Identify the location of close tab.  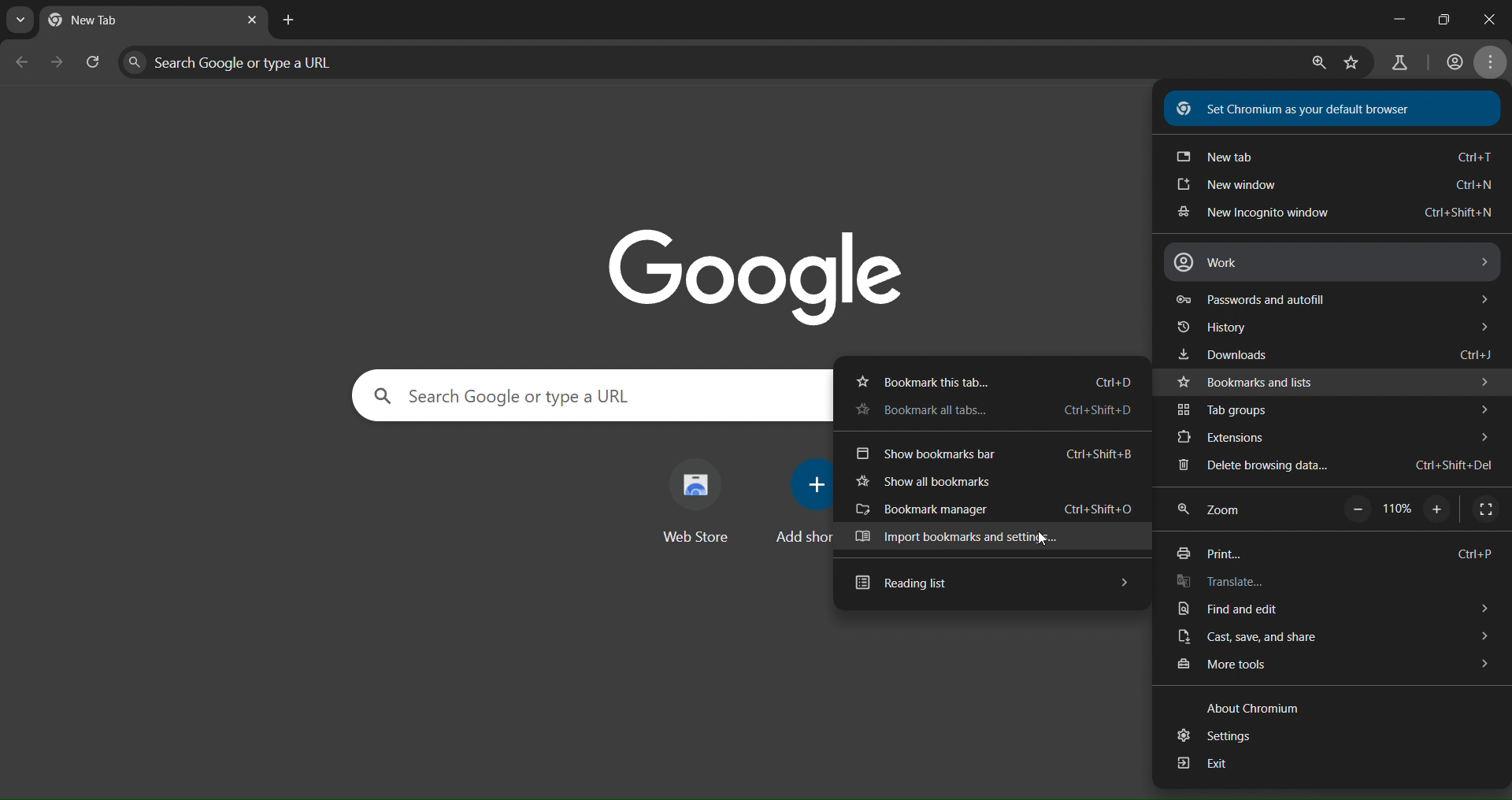
(254, 20).